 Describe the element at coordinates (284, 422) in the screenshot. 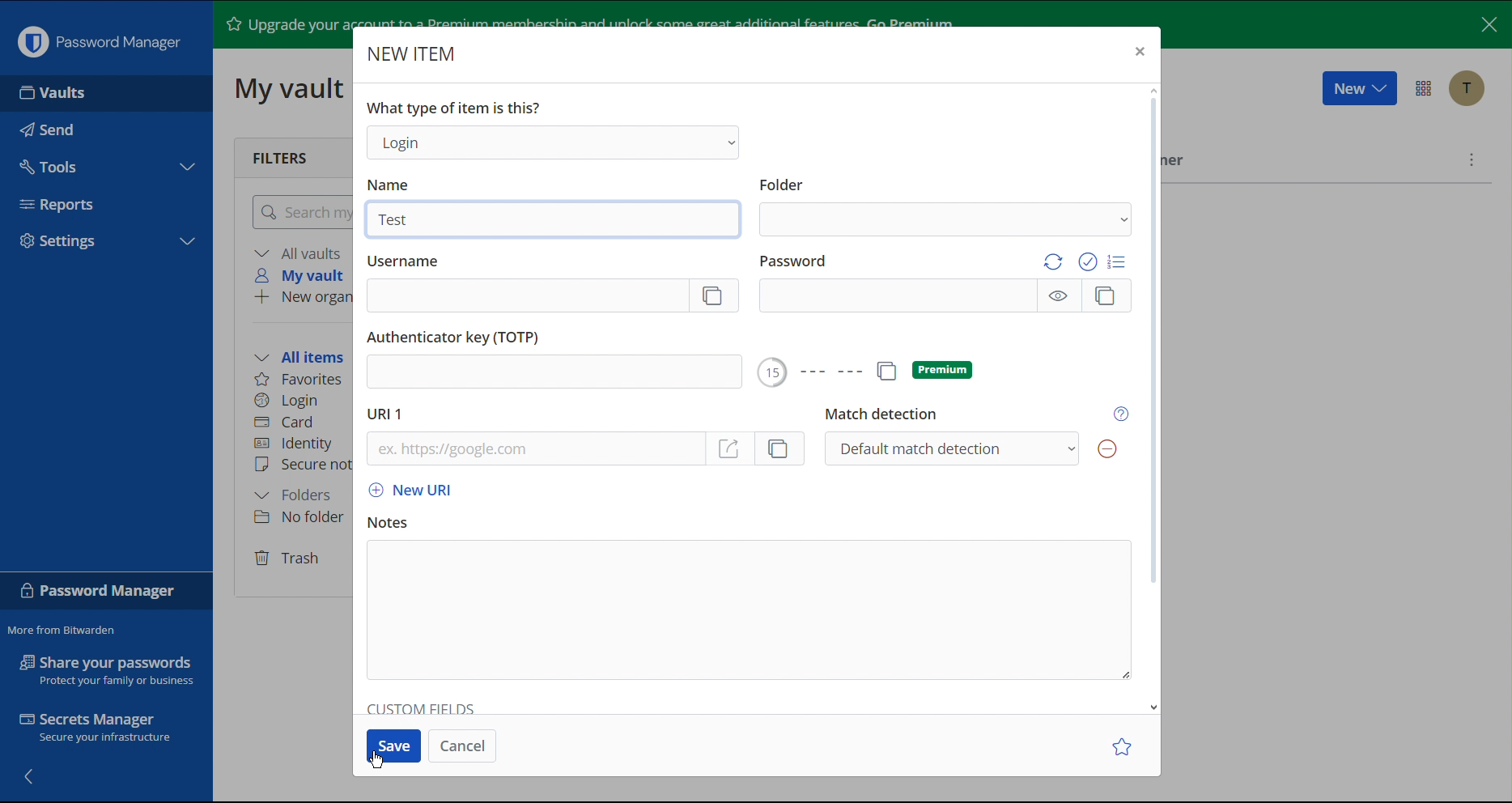

I see `Card` at that location.